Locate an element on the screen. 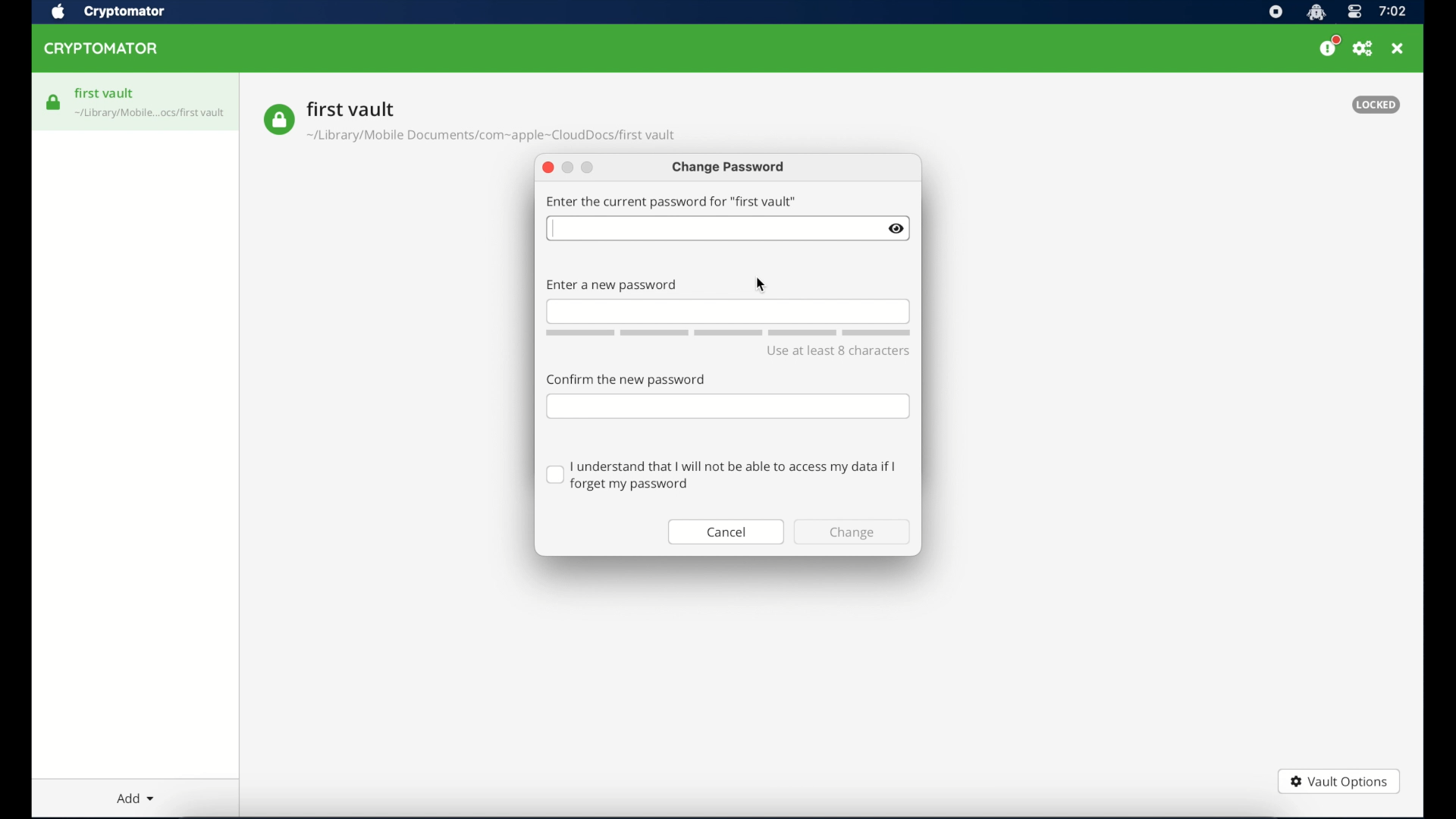 This screenshot has width=1456, height=819. minimize is located at coordinates (569, 168).